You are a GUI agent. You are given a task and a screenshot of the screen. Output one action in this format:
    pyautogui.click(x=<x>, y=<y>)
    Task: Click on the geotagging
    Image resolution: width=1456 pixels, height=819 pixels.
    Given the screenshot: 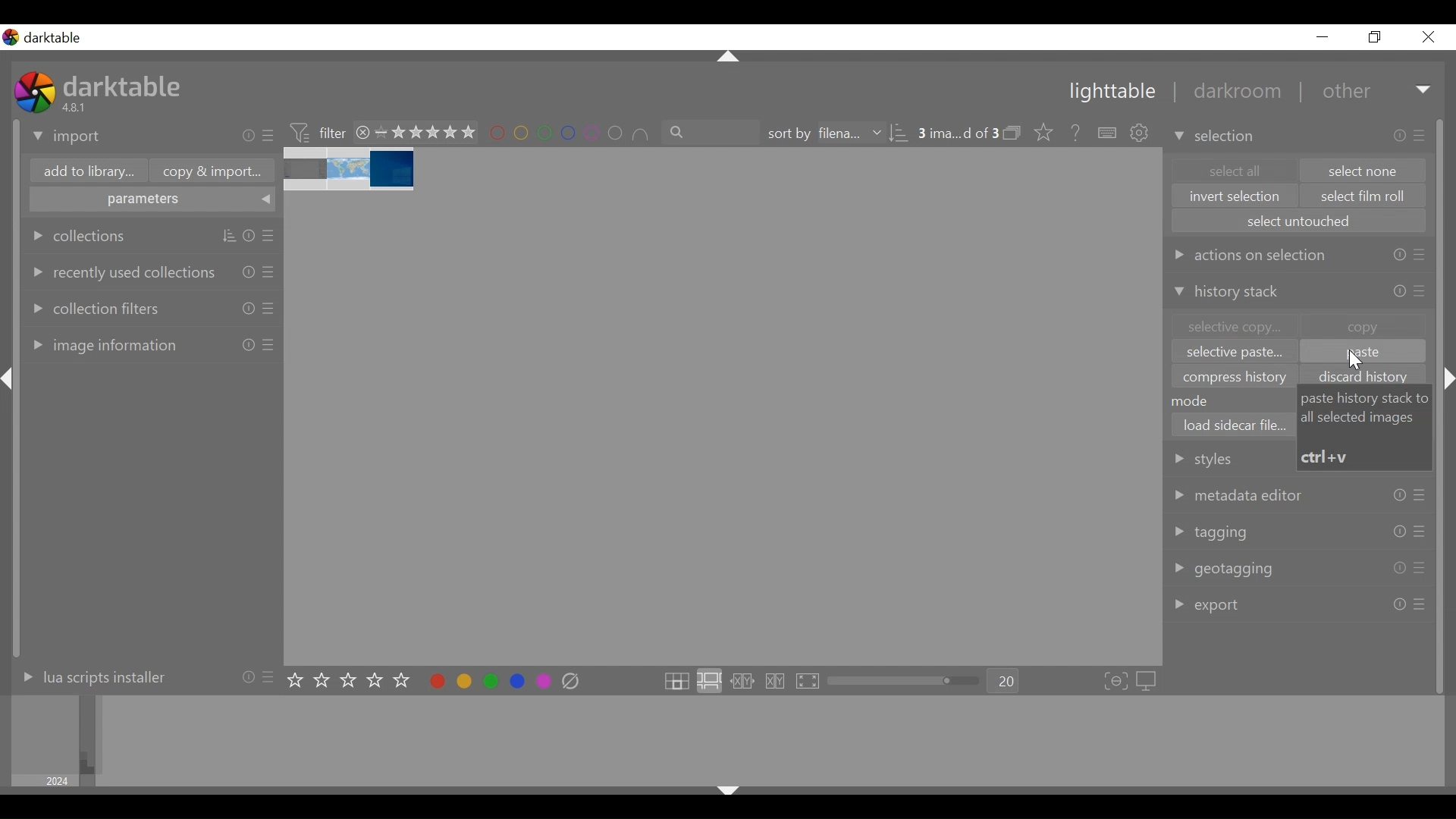 What is the action you would take?
    pyautogui.click(x=1226, y=570)
    